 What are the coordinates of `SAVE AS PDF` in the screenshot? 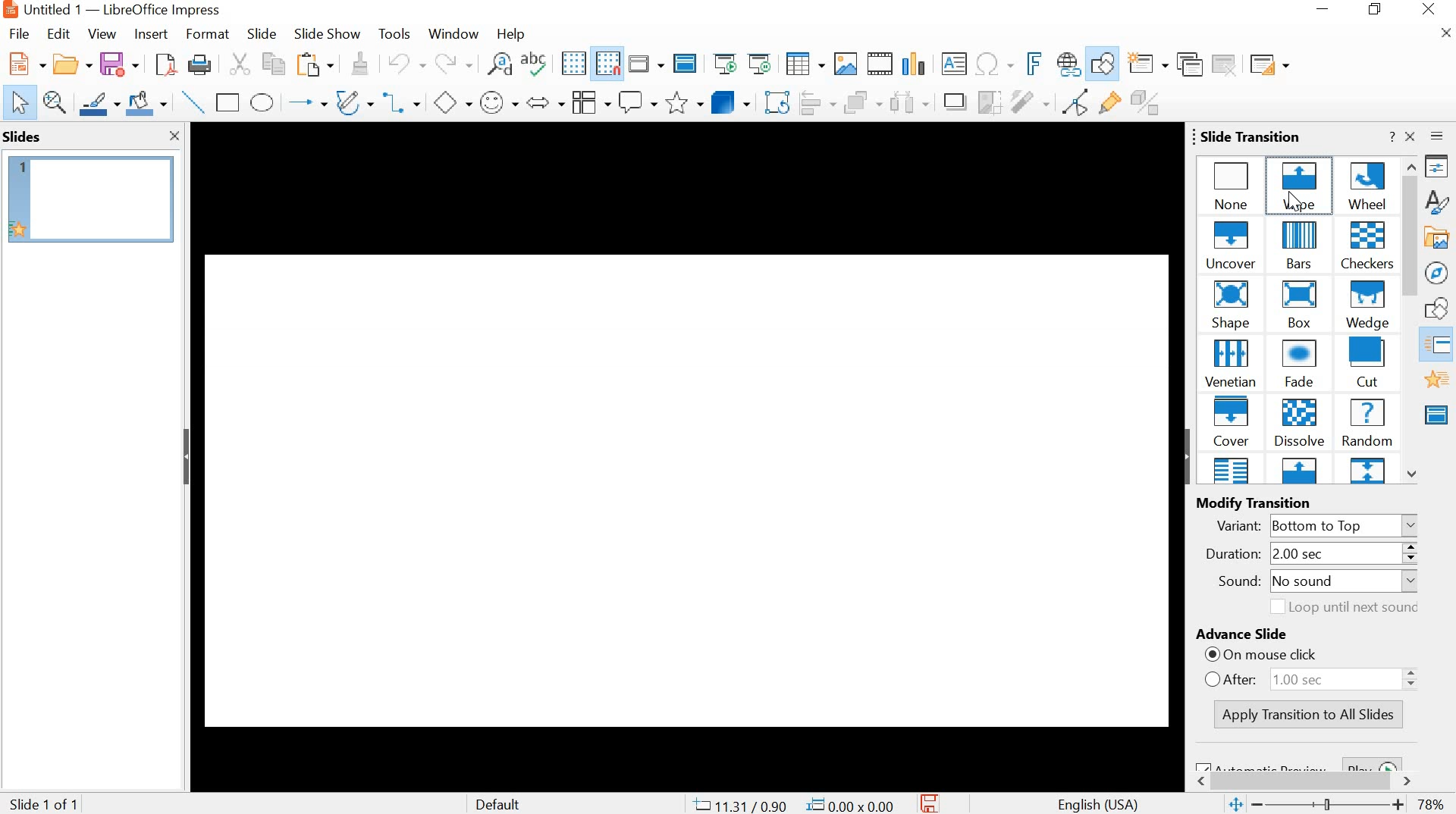 It's located at (165, 64).